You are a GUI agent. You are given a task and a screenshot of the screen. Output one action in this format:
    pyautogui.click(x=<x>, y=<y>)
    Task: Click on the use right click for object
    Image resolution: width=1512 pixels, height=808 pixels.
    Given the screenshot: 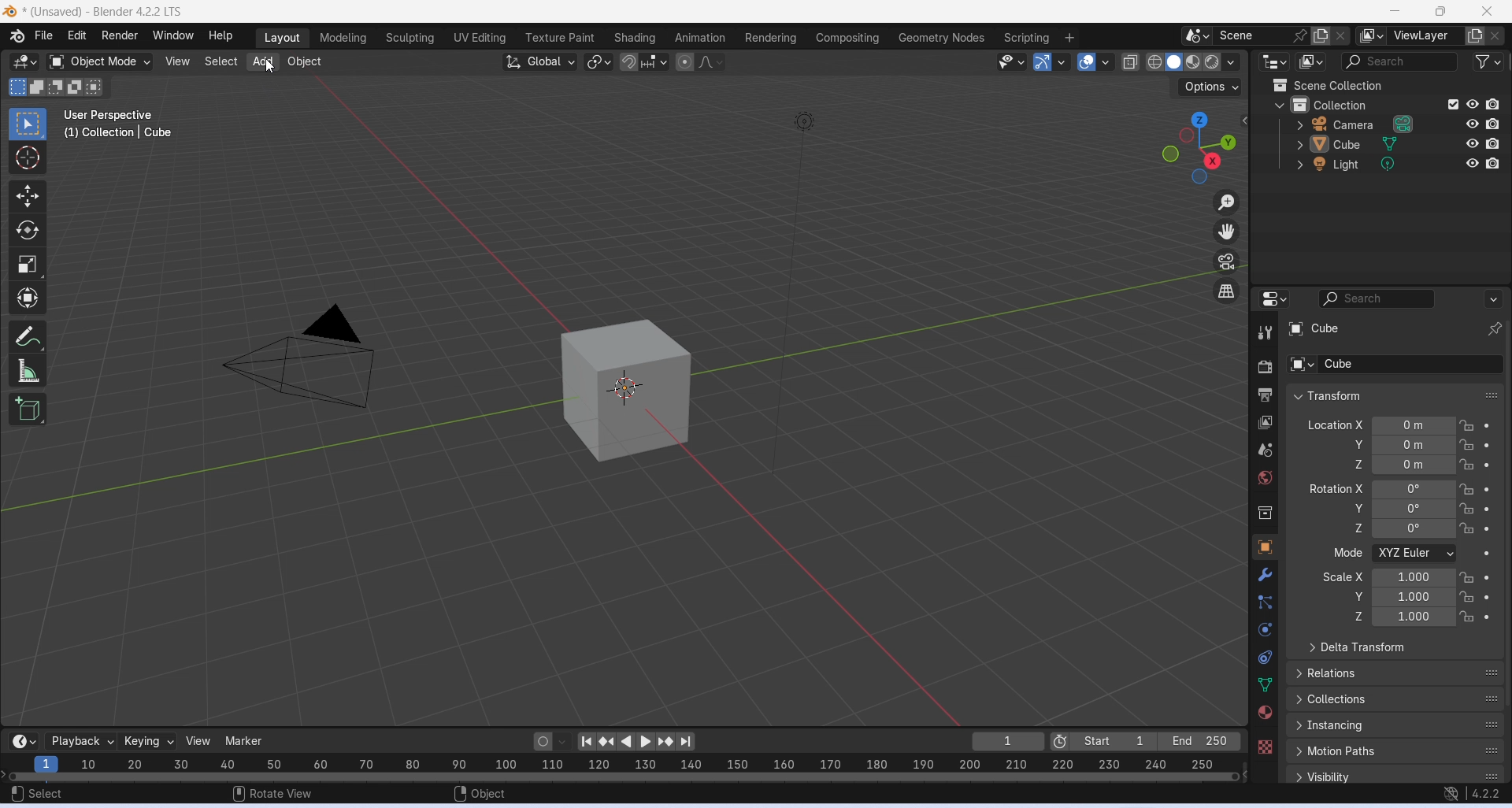 What is the action you would take?
    pyautogui.click(x=480, y=795)
    